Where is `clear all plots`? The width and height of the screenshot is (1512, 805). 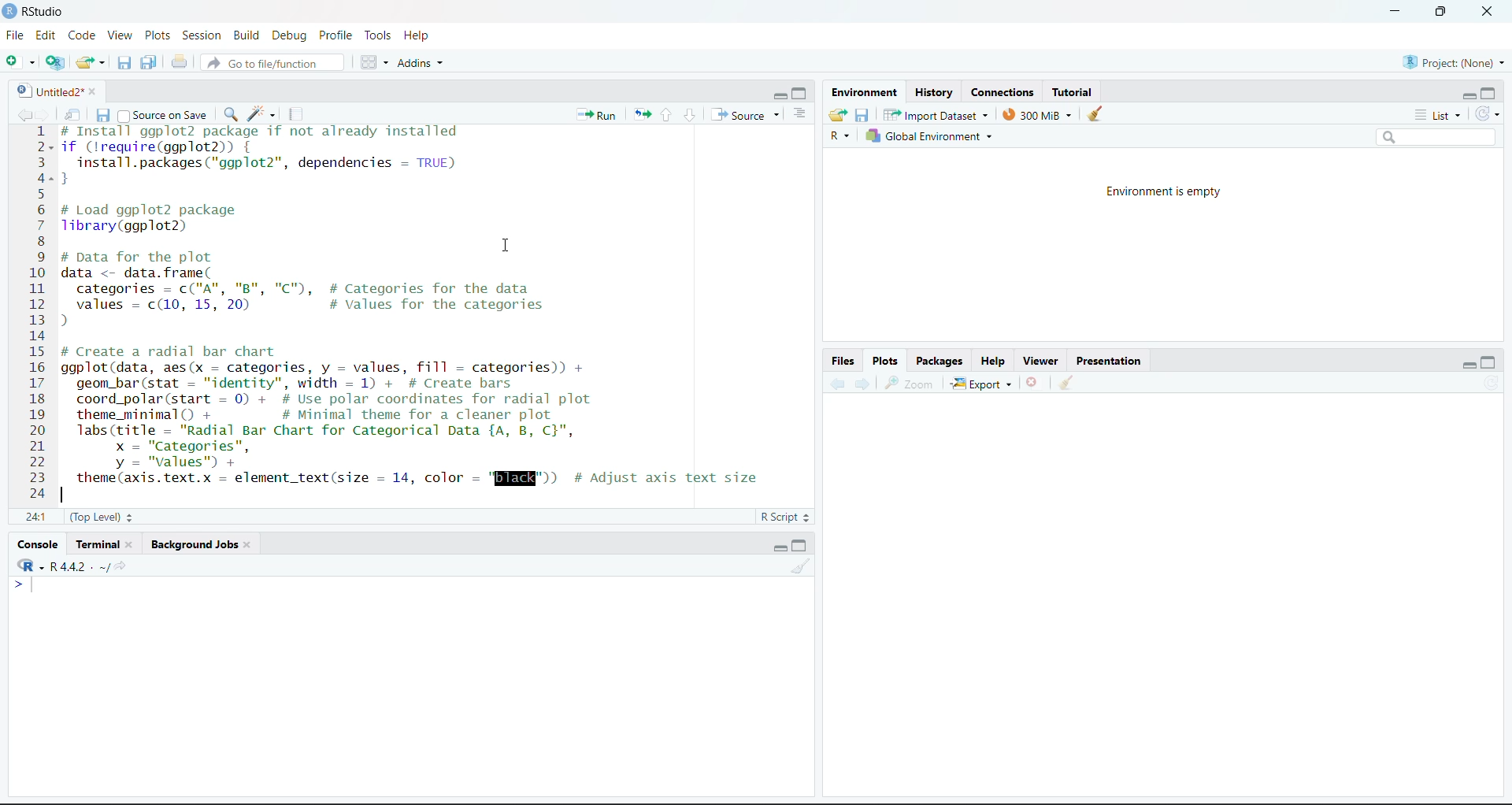 clear all plots is located at coordinates (1069, 384).